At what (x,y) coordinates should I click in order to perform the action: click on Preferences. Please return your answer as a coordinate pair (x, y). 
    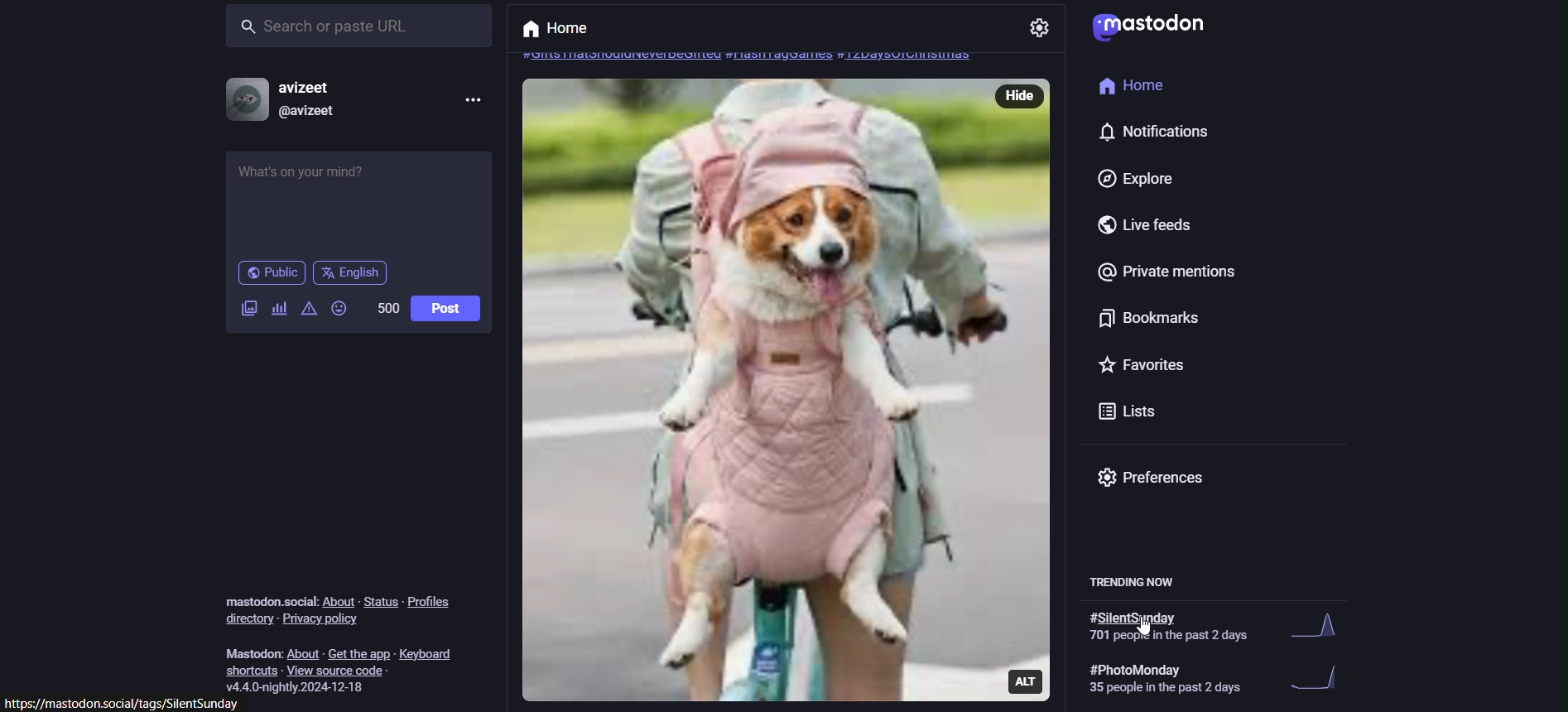
    Looking at the image, I should click on (1155, 476).